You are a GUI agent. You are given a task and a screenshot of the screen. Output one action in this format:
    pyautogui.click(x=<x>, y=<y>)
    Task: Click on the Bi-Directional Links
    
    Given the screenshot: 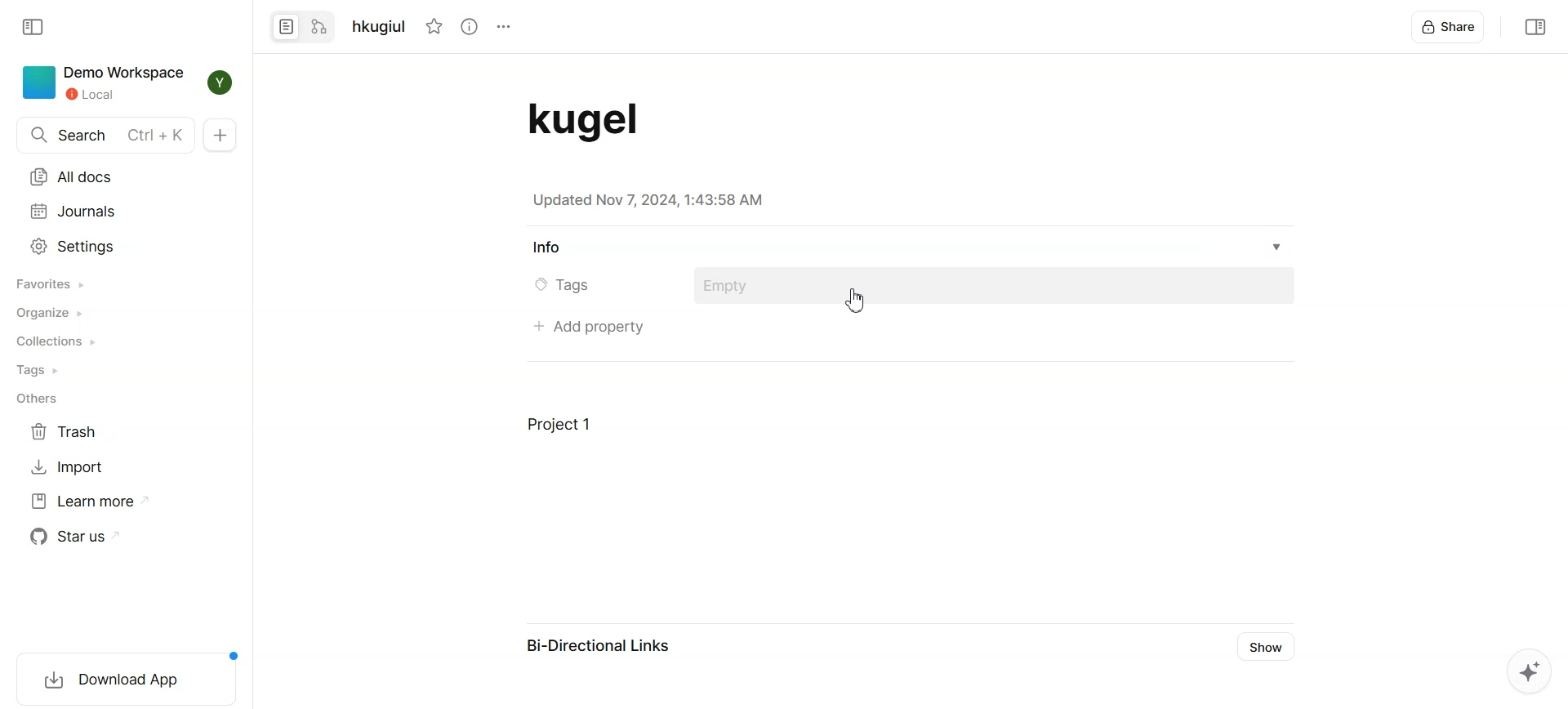 What is the action you would take?
    pyautogui.click(x=606, y=645)
    